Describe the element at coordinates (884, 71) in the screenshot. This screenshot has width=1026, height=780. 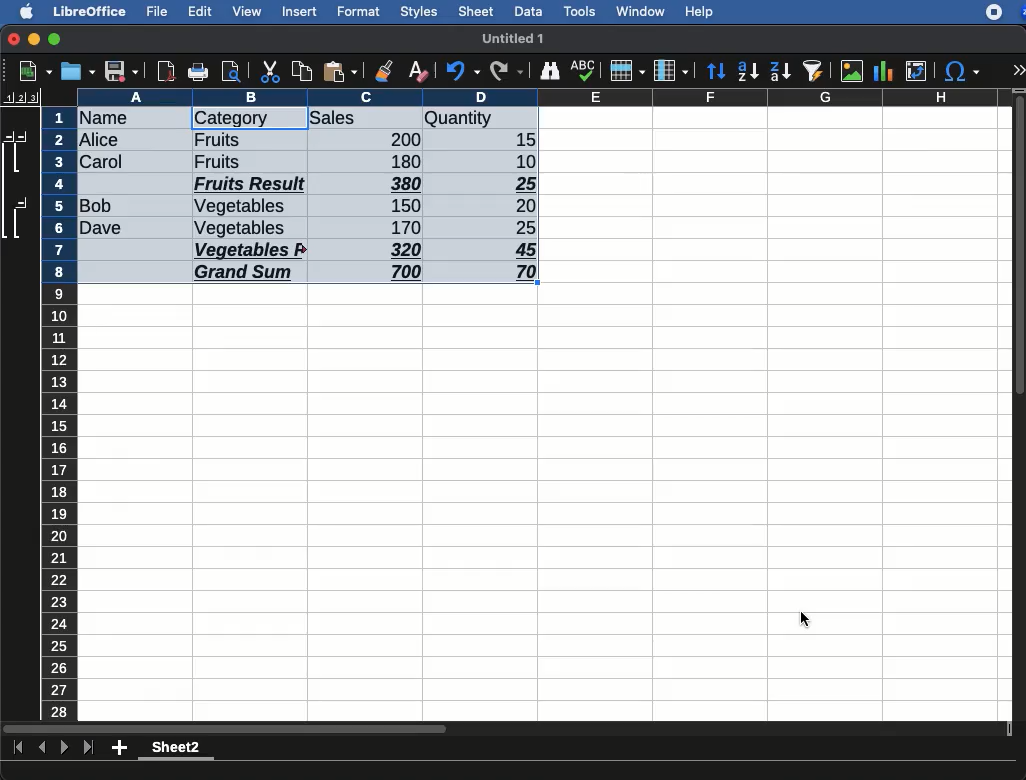
I see `chart` at that location.